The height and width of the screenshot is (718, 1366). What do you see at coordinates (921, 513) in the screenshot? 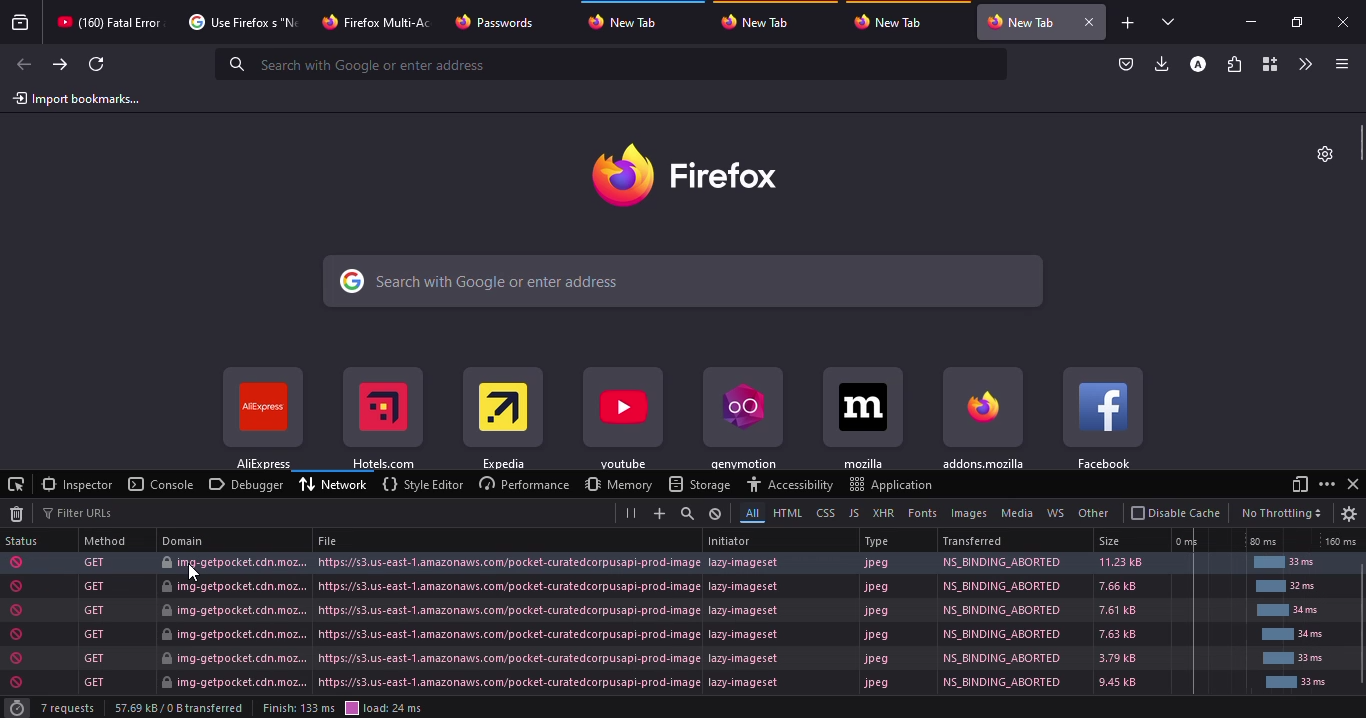
I see `fonts` at bounding box center [921, 513].